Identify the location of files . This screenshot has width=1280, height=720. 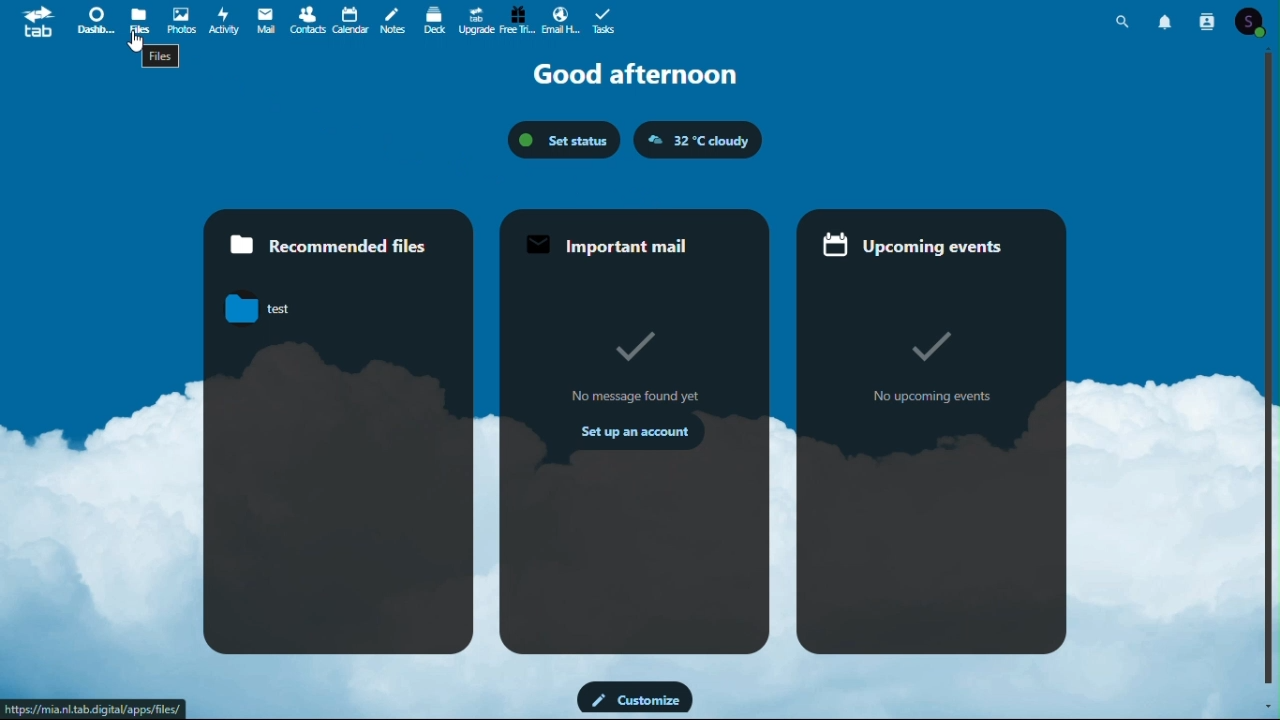
(140, 19).